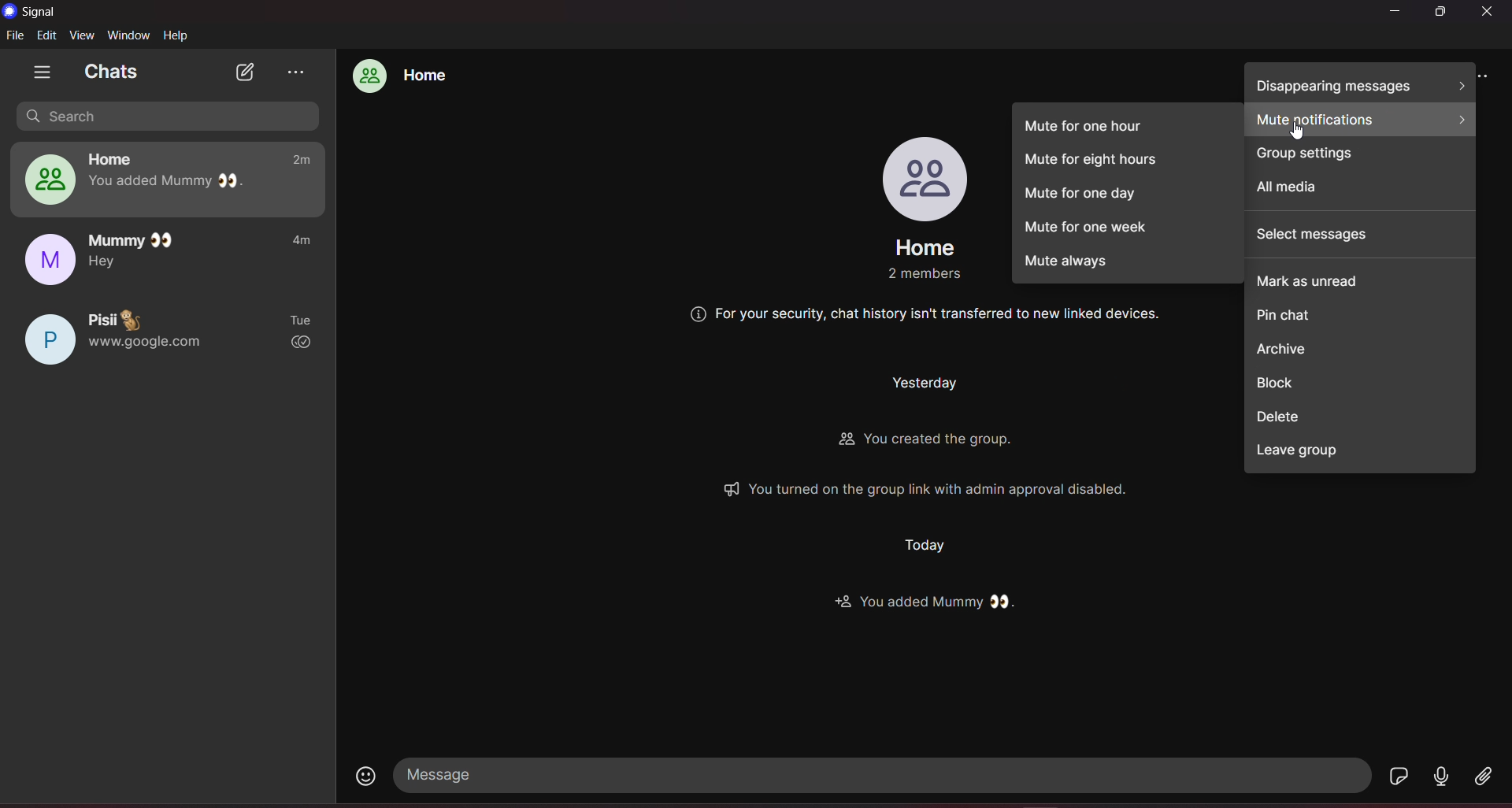 The height and width of the screenshot is (808, 1512). Describe the element at coordinates (1360, 159) in the screenshot. I see `group settings` at that location.